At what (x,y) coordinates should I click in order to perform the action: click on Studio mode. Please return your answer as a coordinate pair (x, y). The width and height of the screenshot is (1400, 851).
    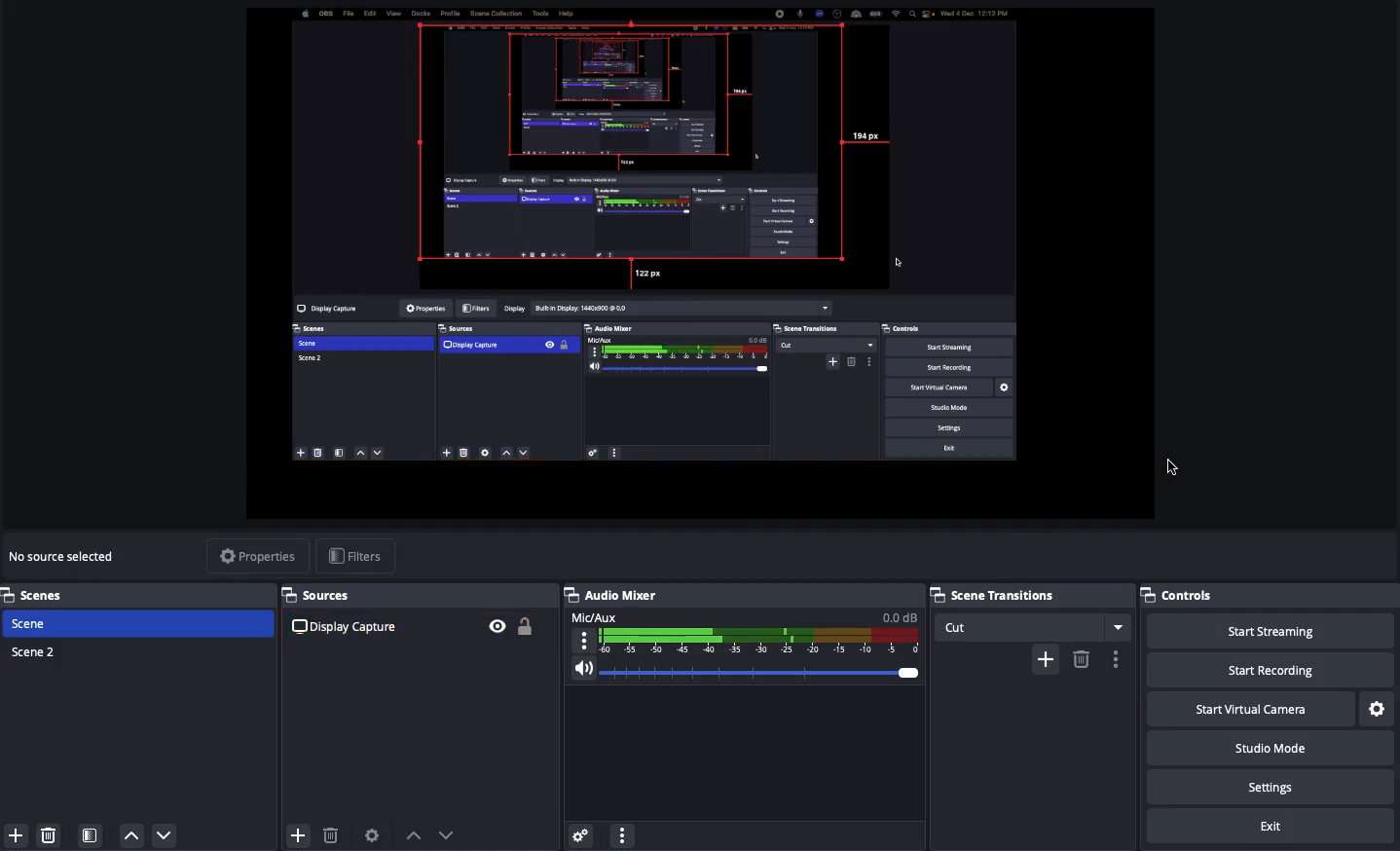
    Looking at the image, I should click on (1285, 751).